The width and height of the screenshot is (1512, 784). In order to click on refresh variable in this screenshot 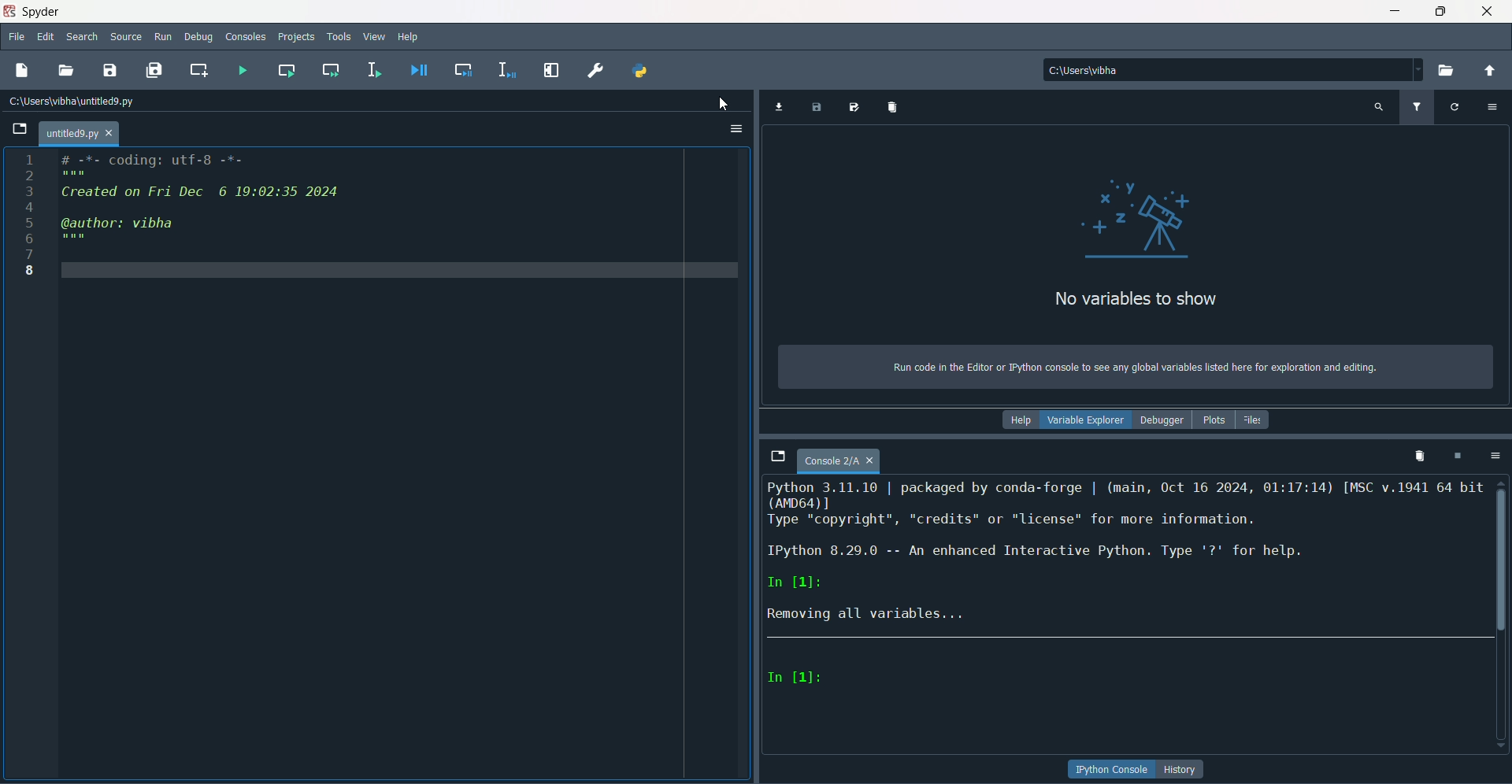, I will do `click(1455, 105)`.